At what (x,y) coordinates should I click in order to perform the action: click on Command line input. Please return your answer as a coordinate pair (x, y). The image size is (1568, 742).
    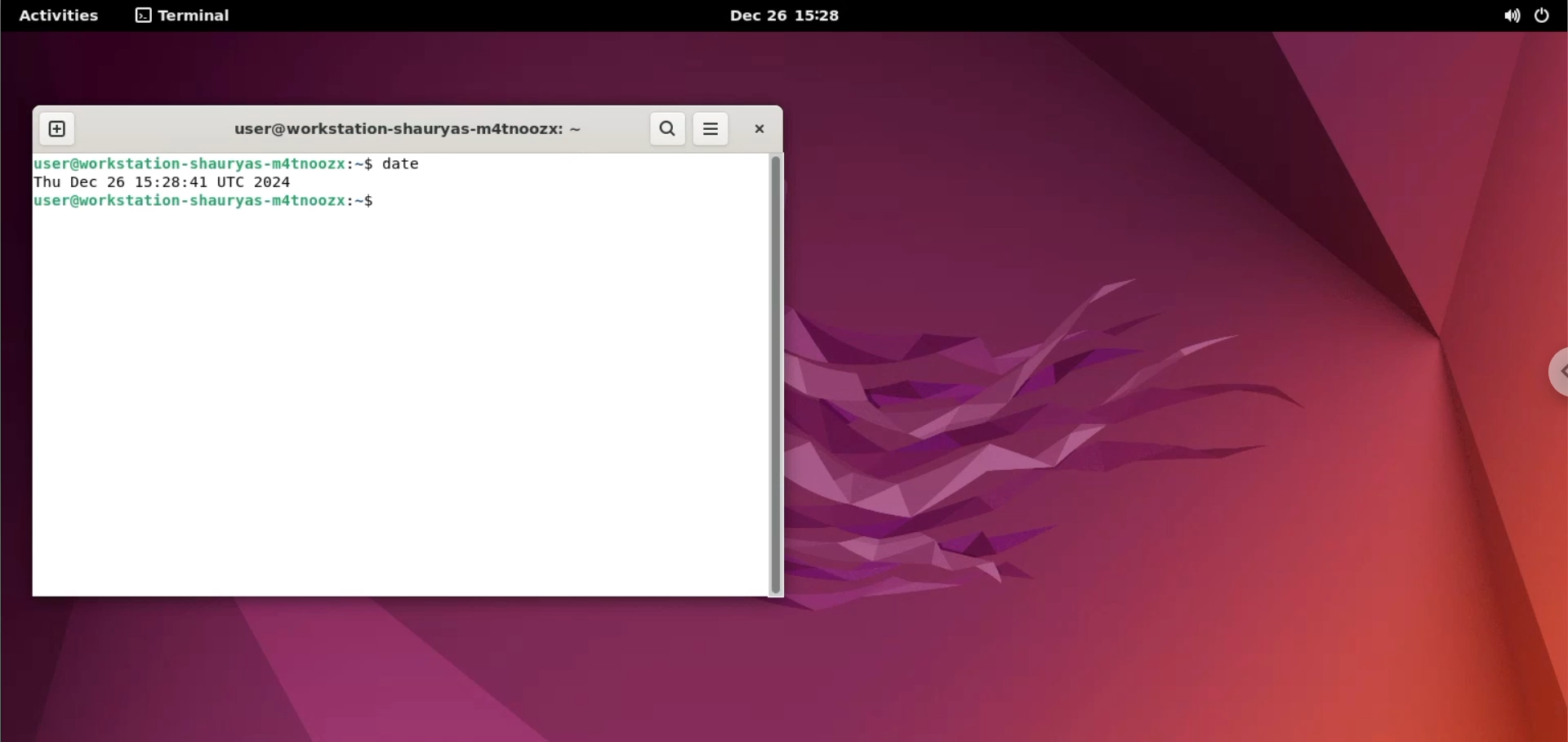
    Looking at the image, I should click on (395, 409).